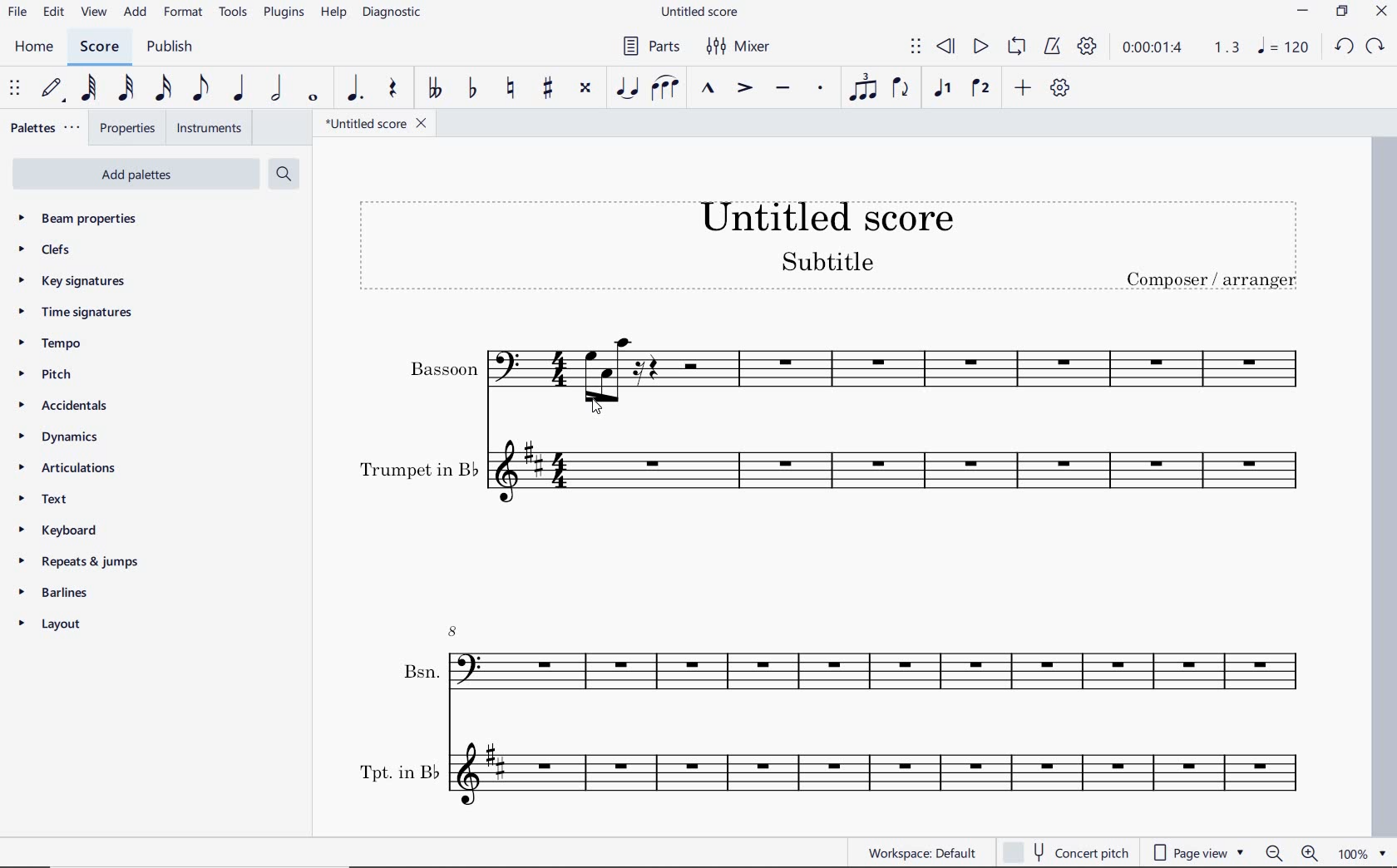 Image resolution: width=1397 pixels, height=868 pixels. What do you see at coordinates (17, 13) in the screenshot?
I see `file` at bounding box center [17, 13].